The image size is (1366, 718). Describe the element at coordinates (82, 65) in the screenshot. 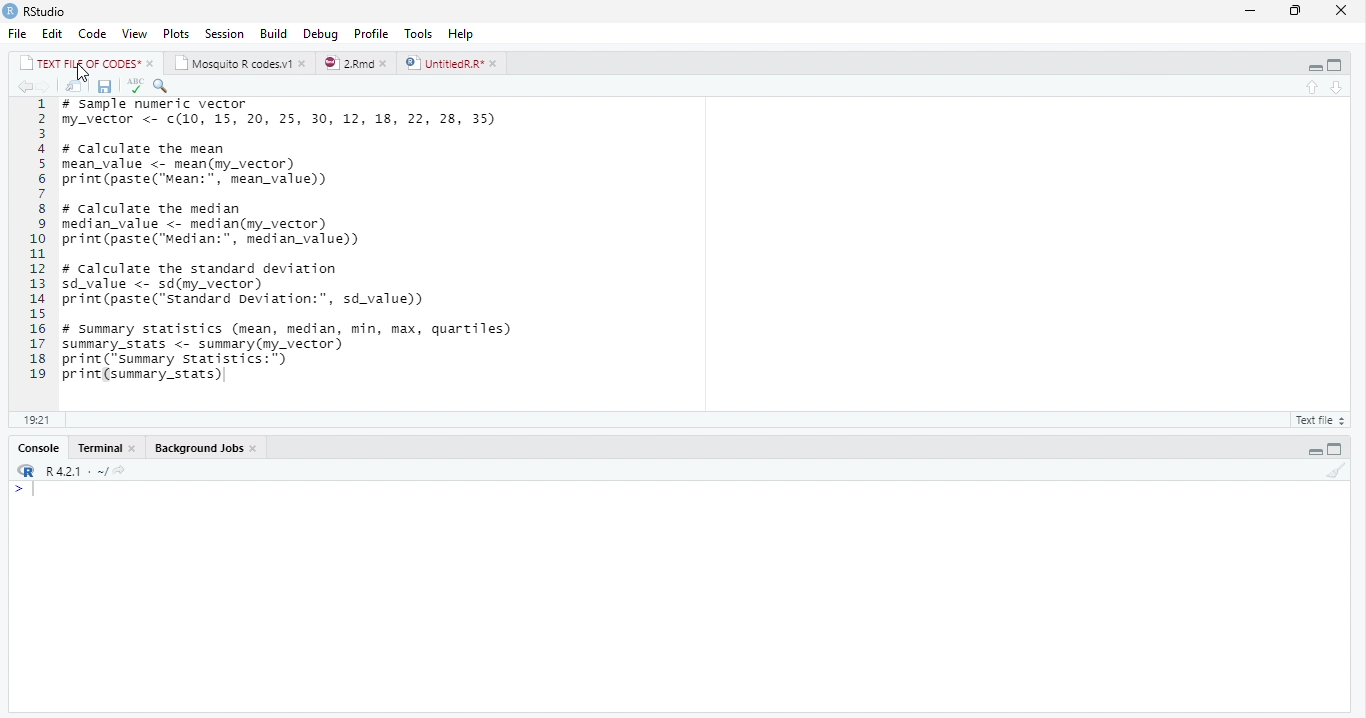

I see `TEXT FILE OF CODES` at that location.